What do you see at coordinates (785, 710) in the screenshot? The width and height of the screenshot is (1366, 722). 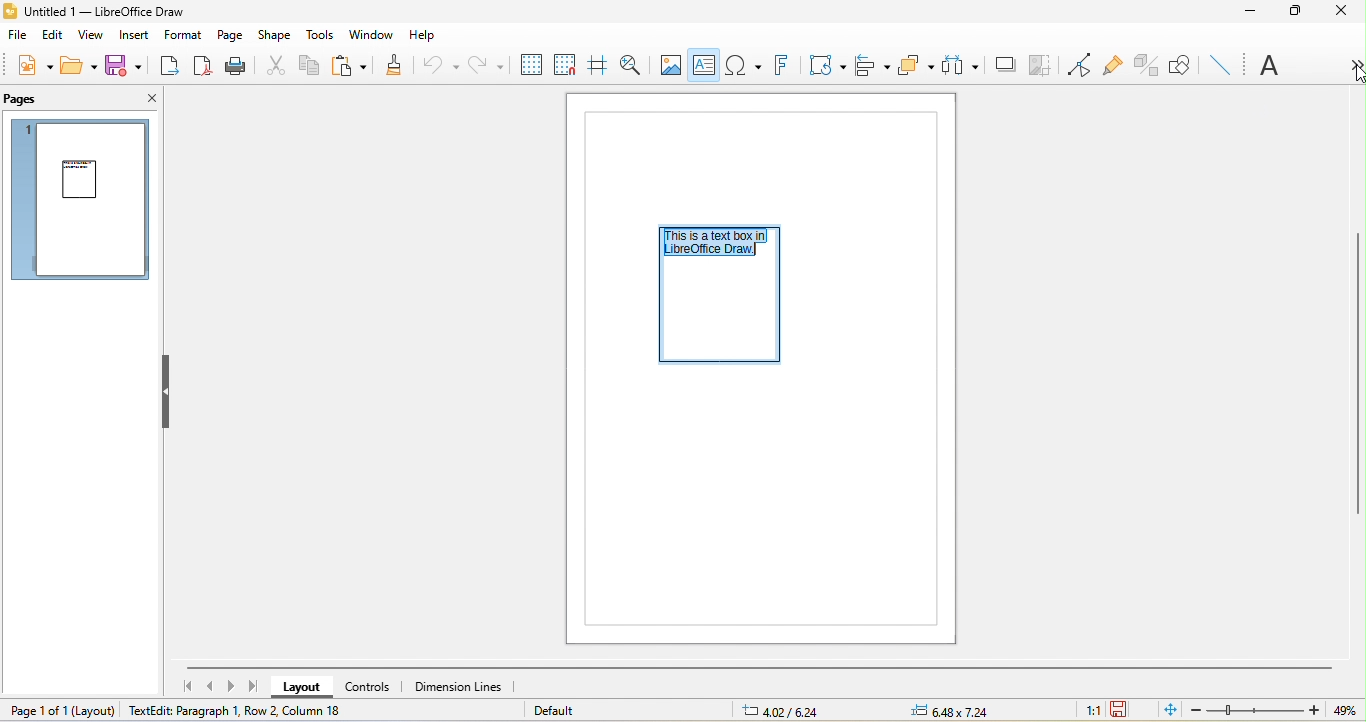 I see `6.18/7.42` at bounding box center [785, 710].